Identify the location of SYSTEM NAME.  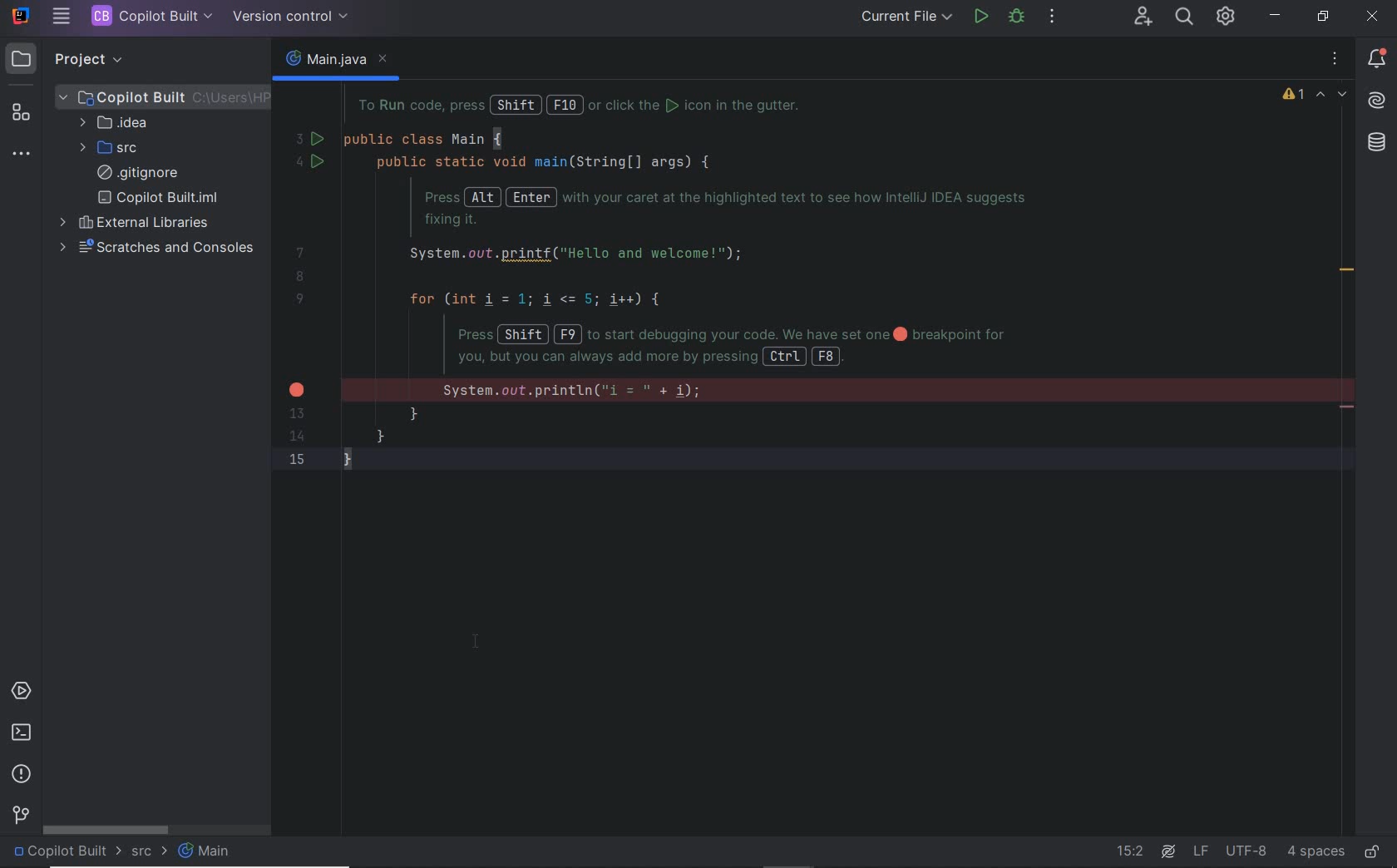
(19, 17).